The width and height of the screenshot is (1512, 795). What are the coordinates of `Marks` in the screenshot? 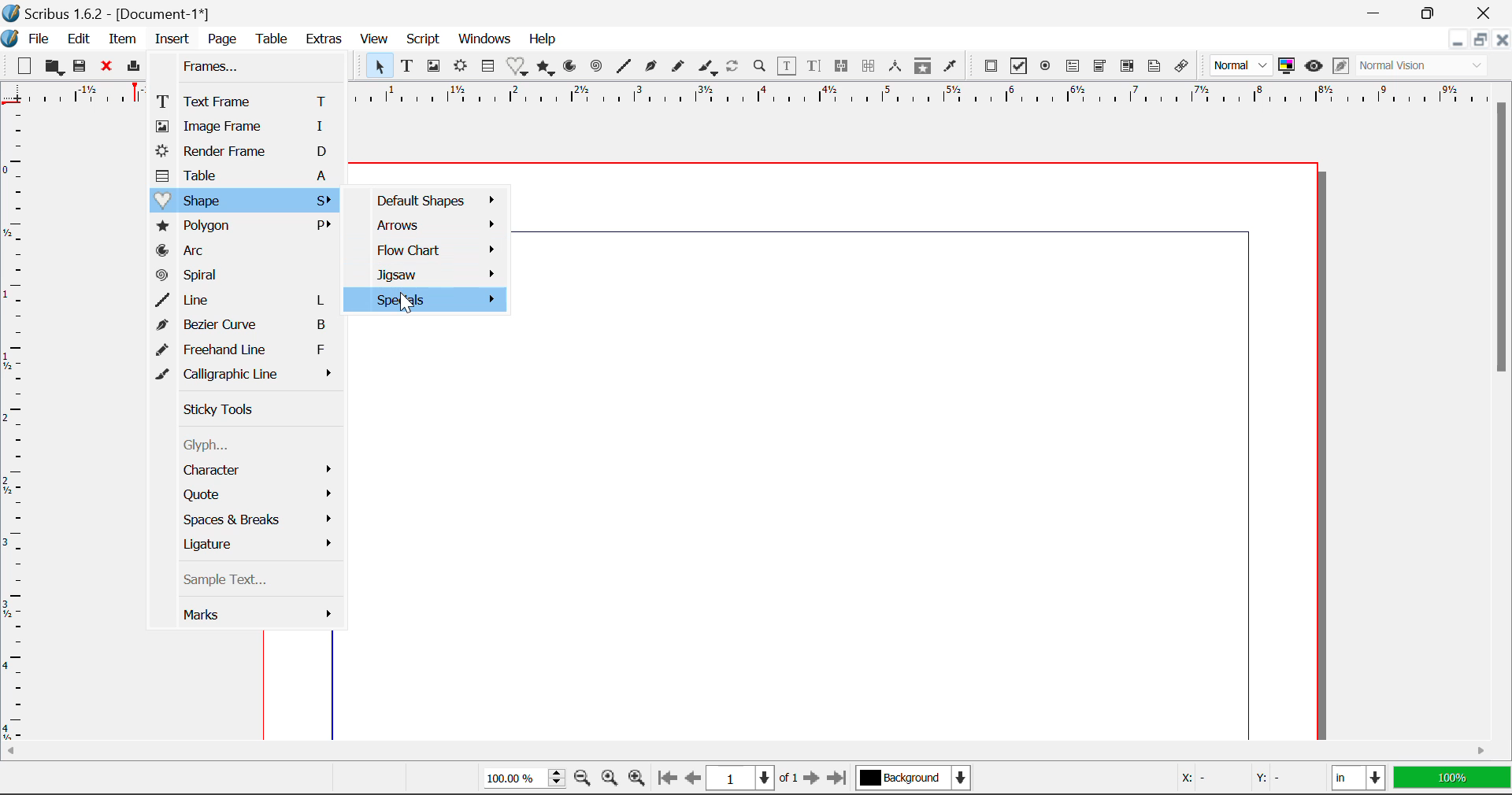 It's located at (260, 618).